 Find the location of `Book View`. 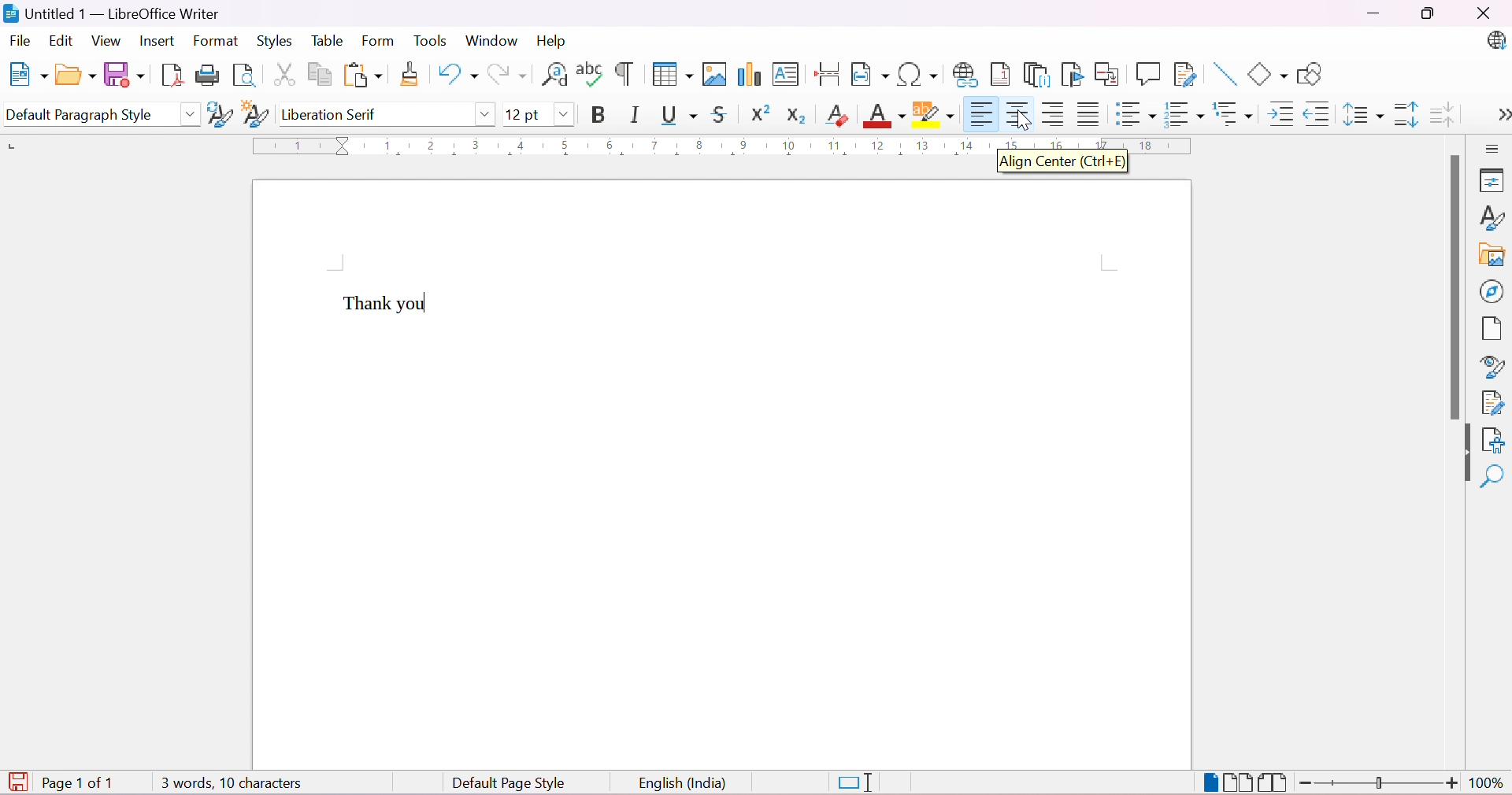

Book View is located at coordinates (1275, 782).